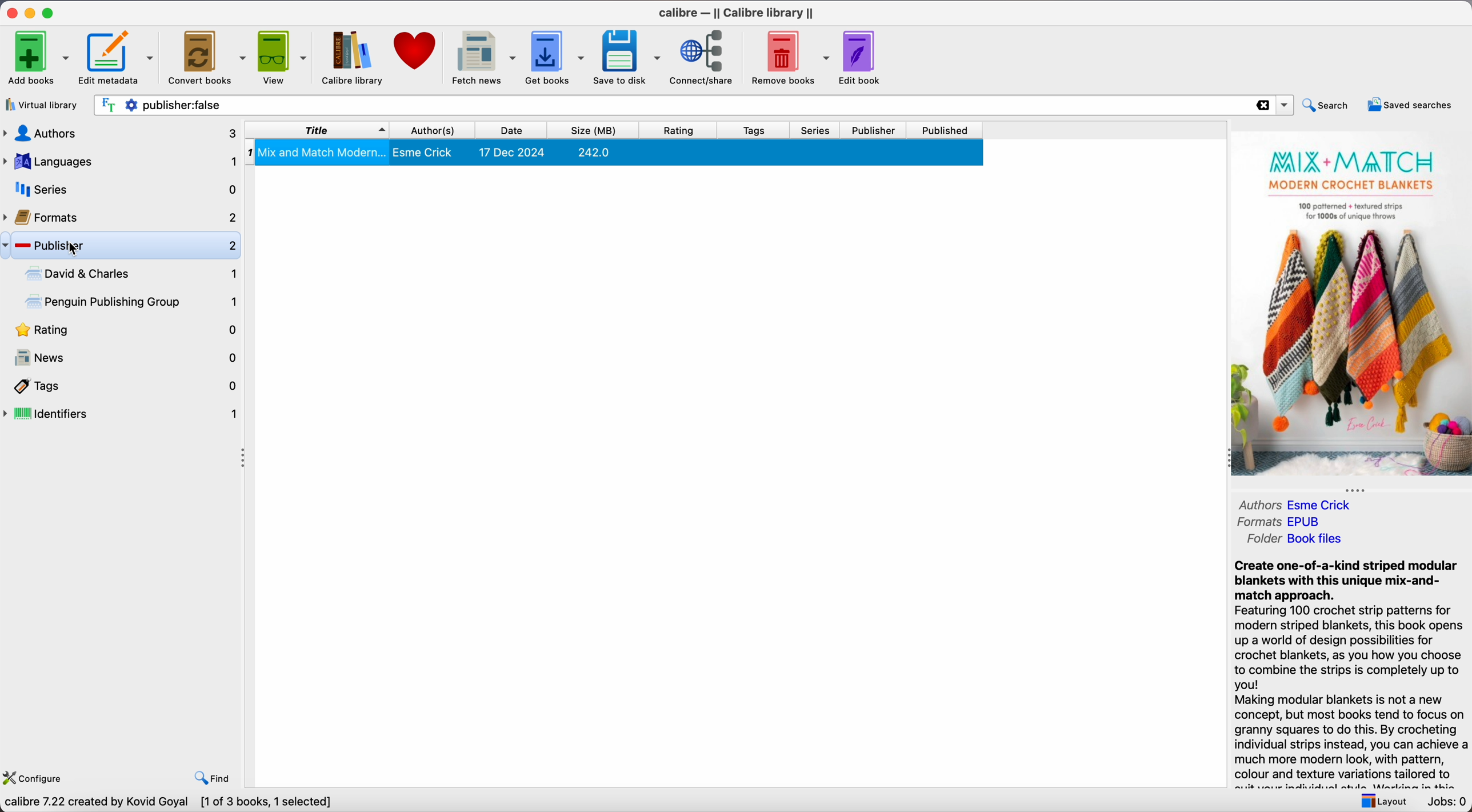  What do you see at coordinates (38, 776) in the screenshot?
I see `configure` at bounding box center [38, 776].